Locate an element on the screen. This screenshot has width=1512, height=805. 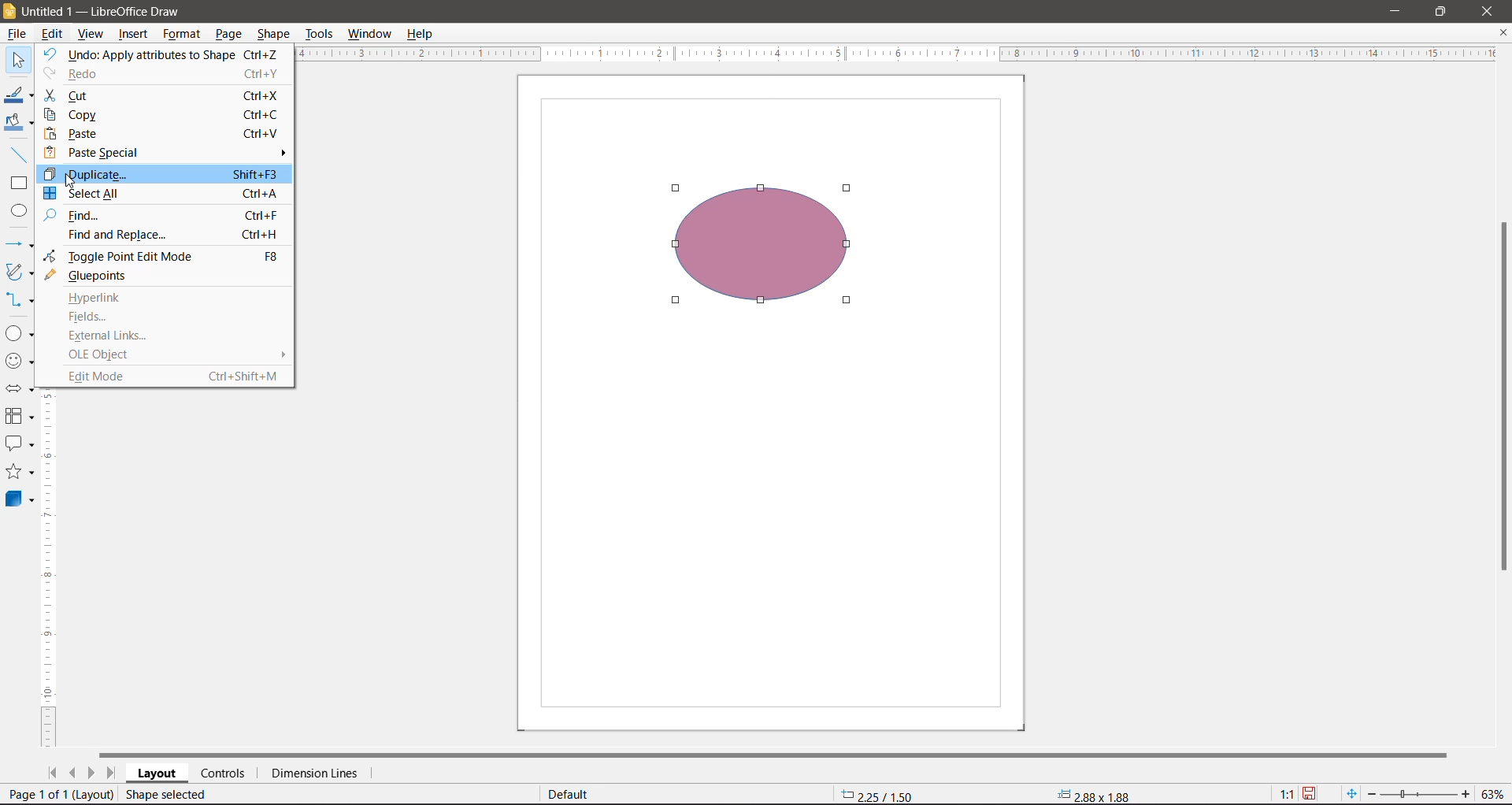
Page is located at coordinates (228, 35).